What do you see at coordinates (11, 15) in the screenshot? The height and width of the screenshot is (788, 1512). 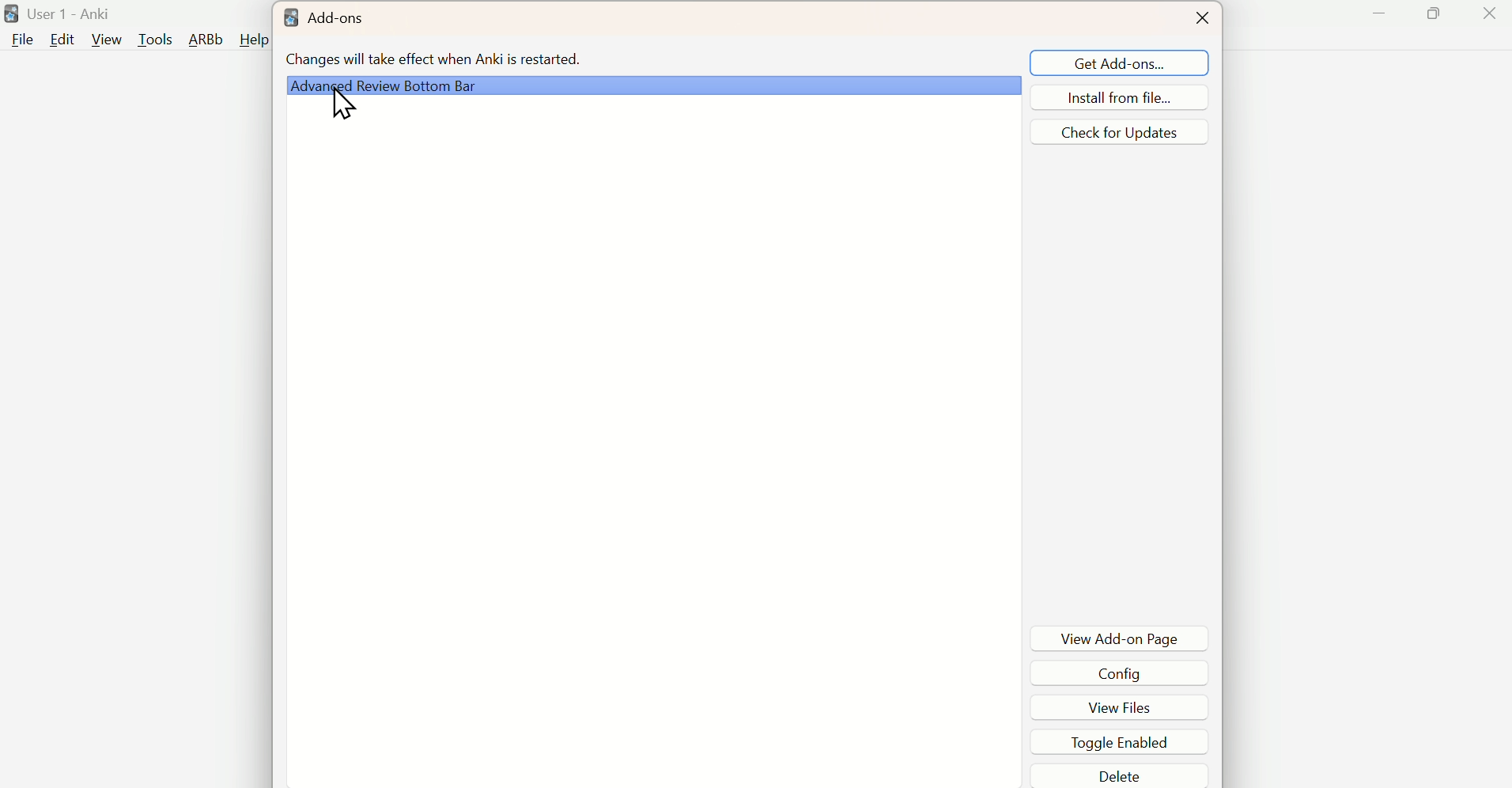 I see `logo` at bounding box center [11, 15].